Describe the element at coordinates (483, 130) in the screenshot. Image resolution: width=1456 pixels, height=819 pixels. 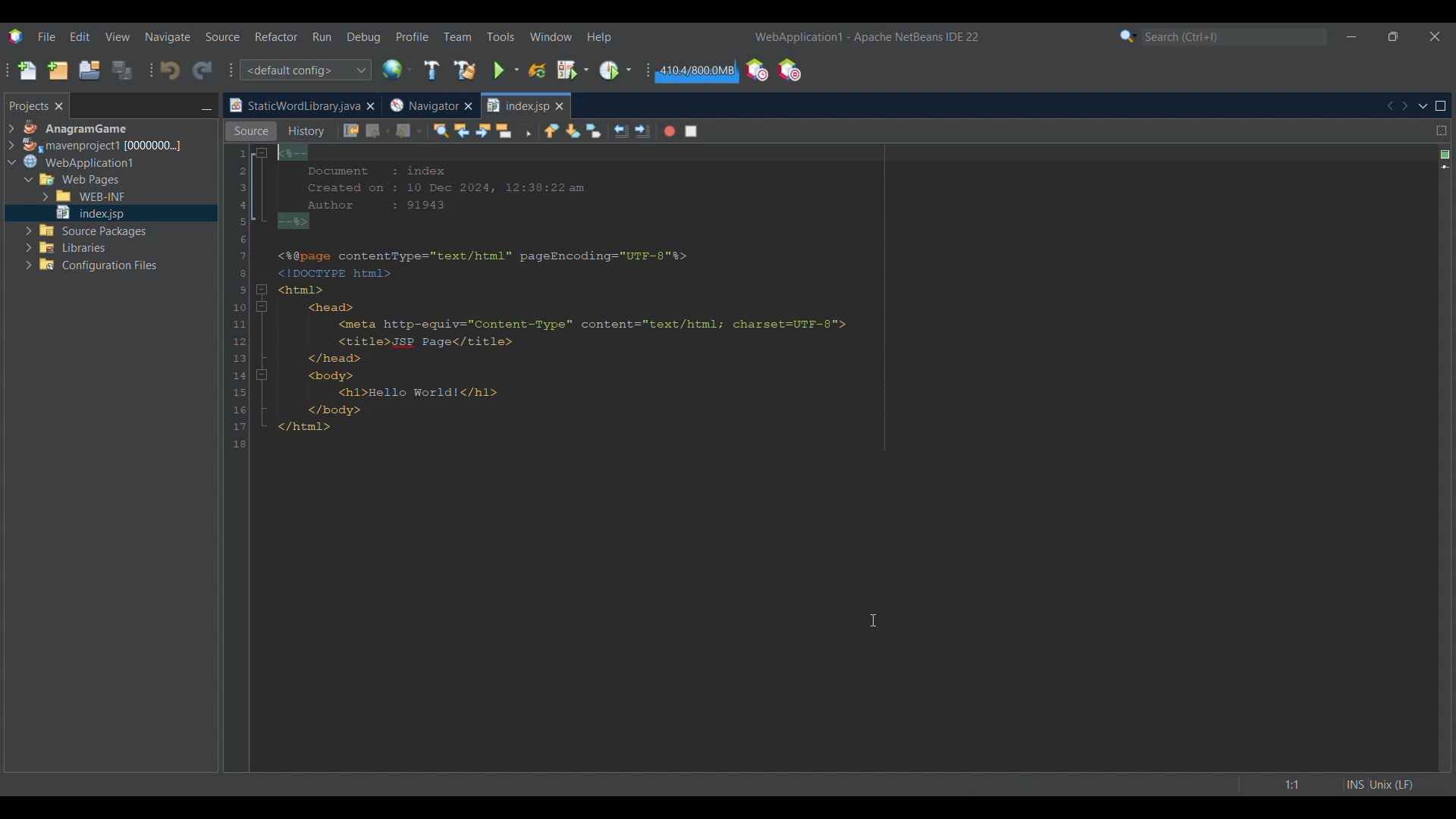
I see `Find next occurrence` at that location.